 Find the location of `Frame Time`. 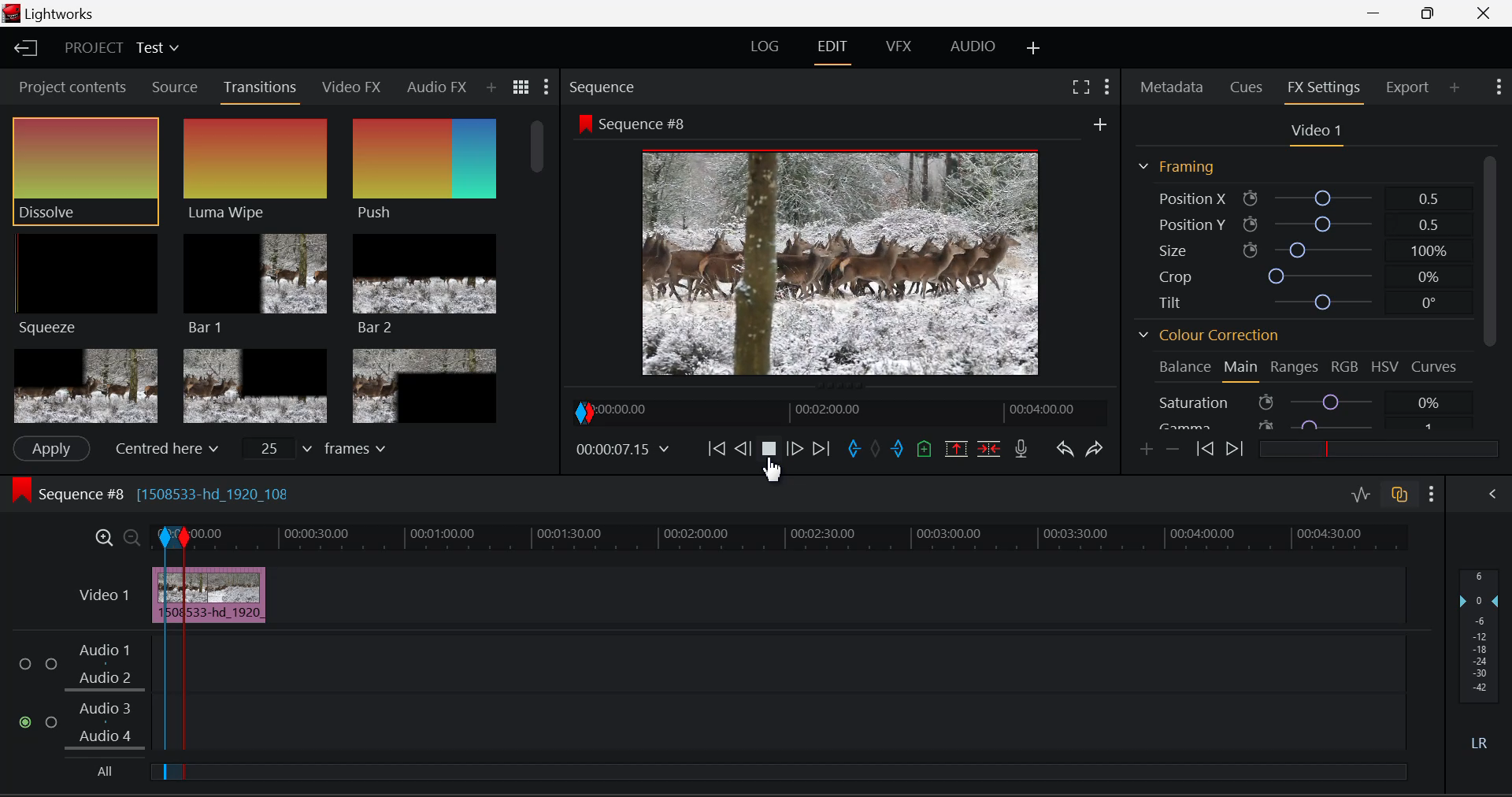

Frame Time is located at coordinates (622, 449).